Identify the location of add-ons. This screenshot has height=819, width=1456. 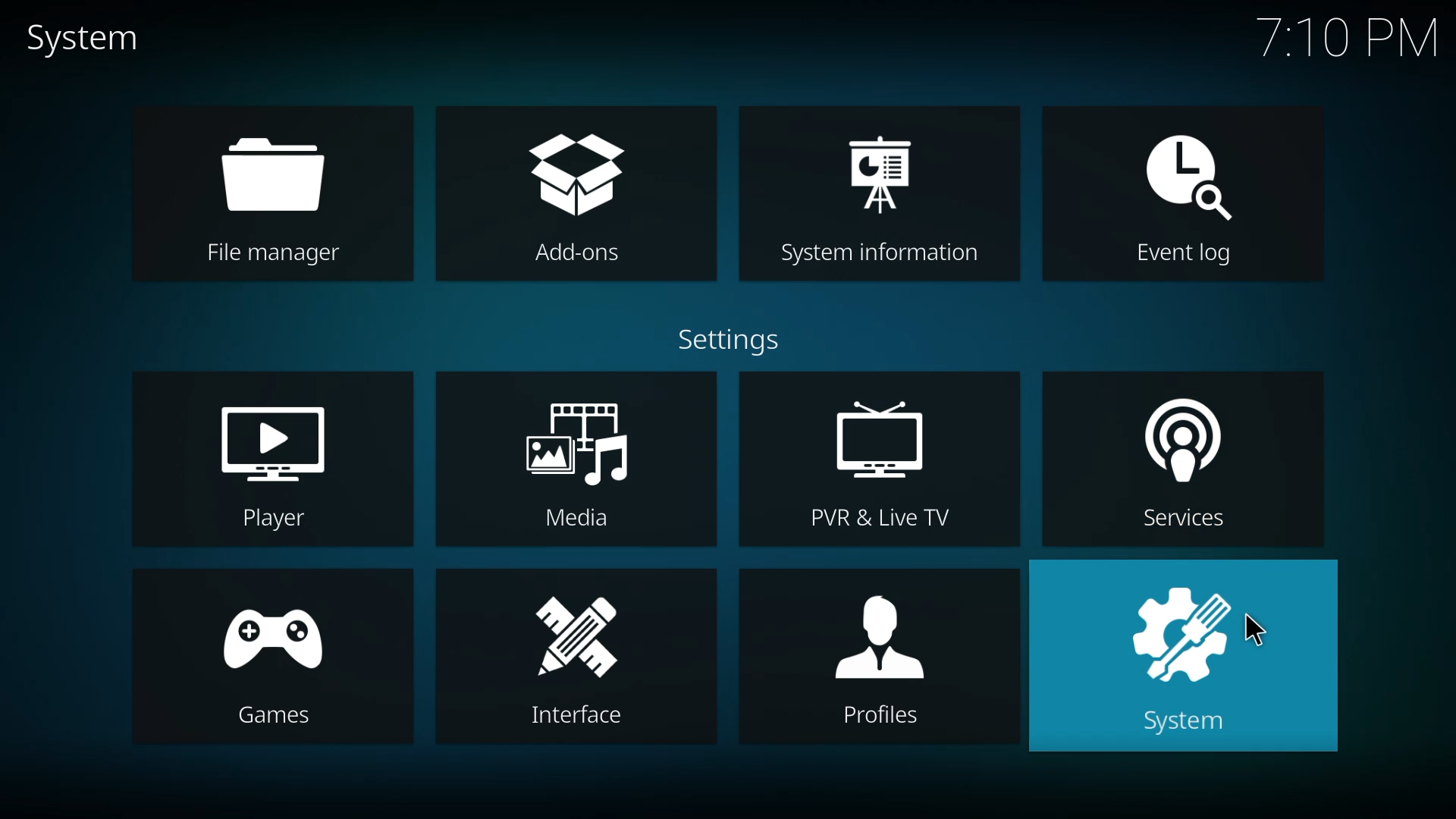
(572, 189).